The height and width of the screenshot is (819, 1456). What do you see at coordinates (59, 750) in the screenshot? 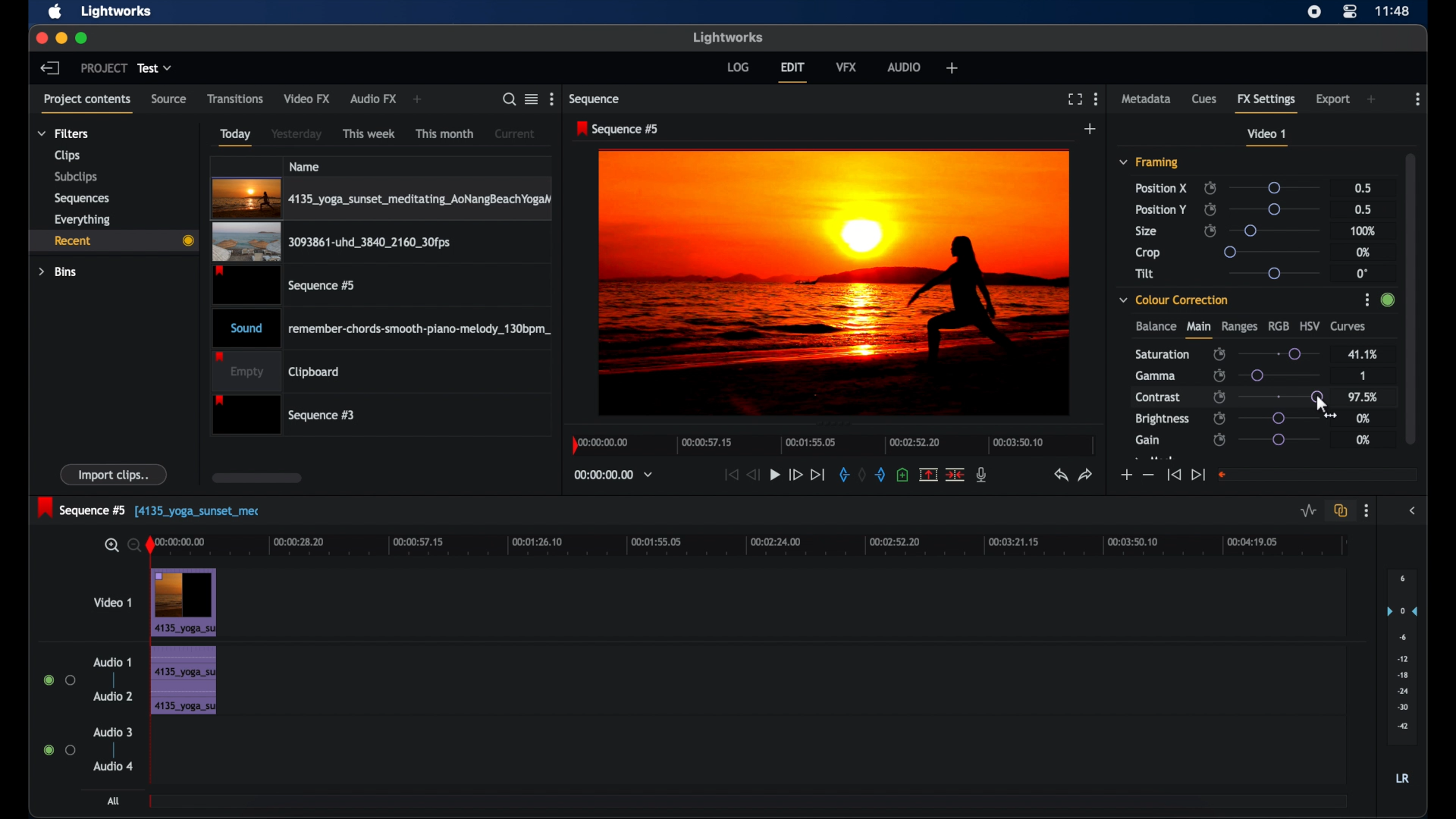
I see `radio buttons` at bounding box center [59, 750].